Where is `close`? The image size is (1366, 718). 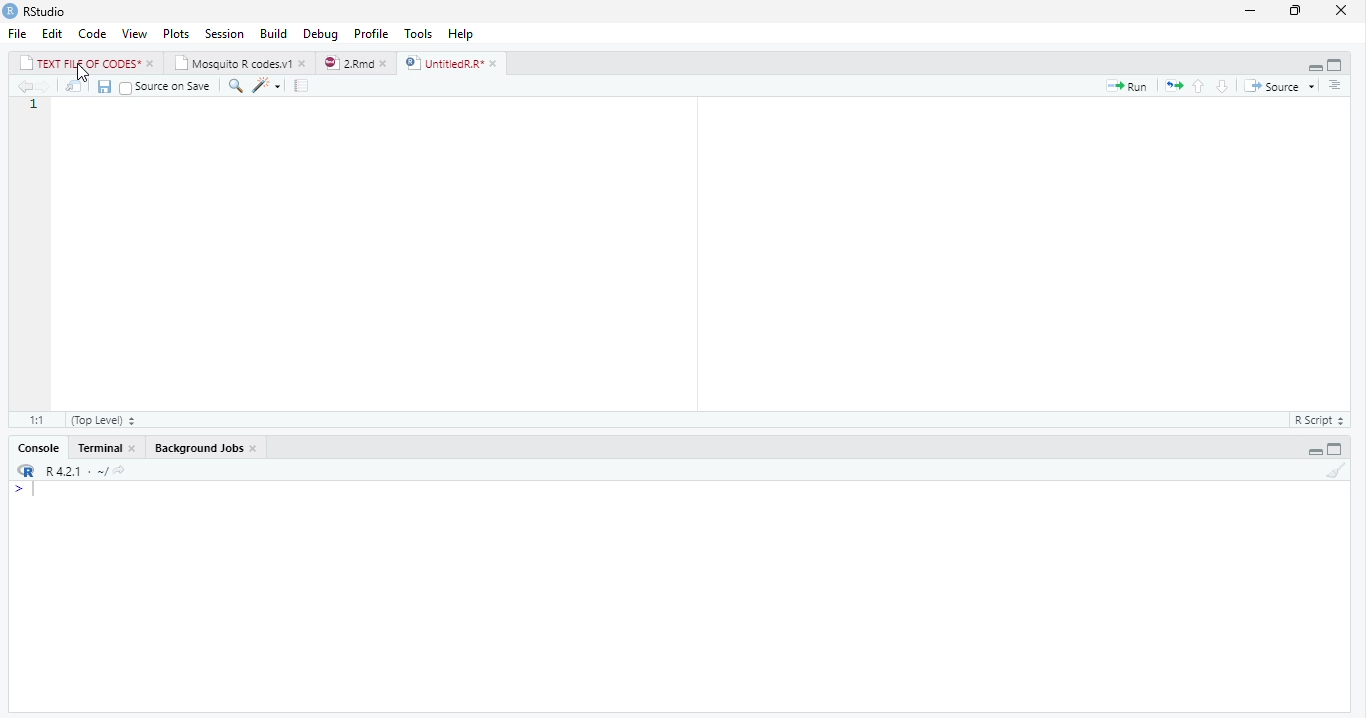 close is located at coordinates (152, 64).